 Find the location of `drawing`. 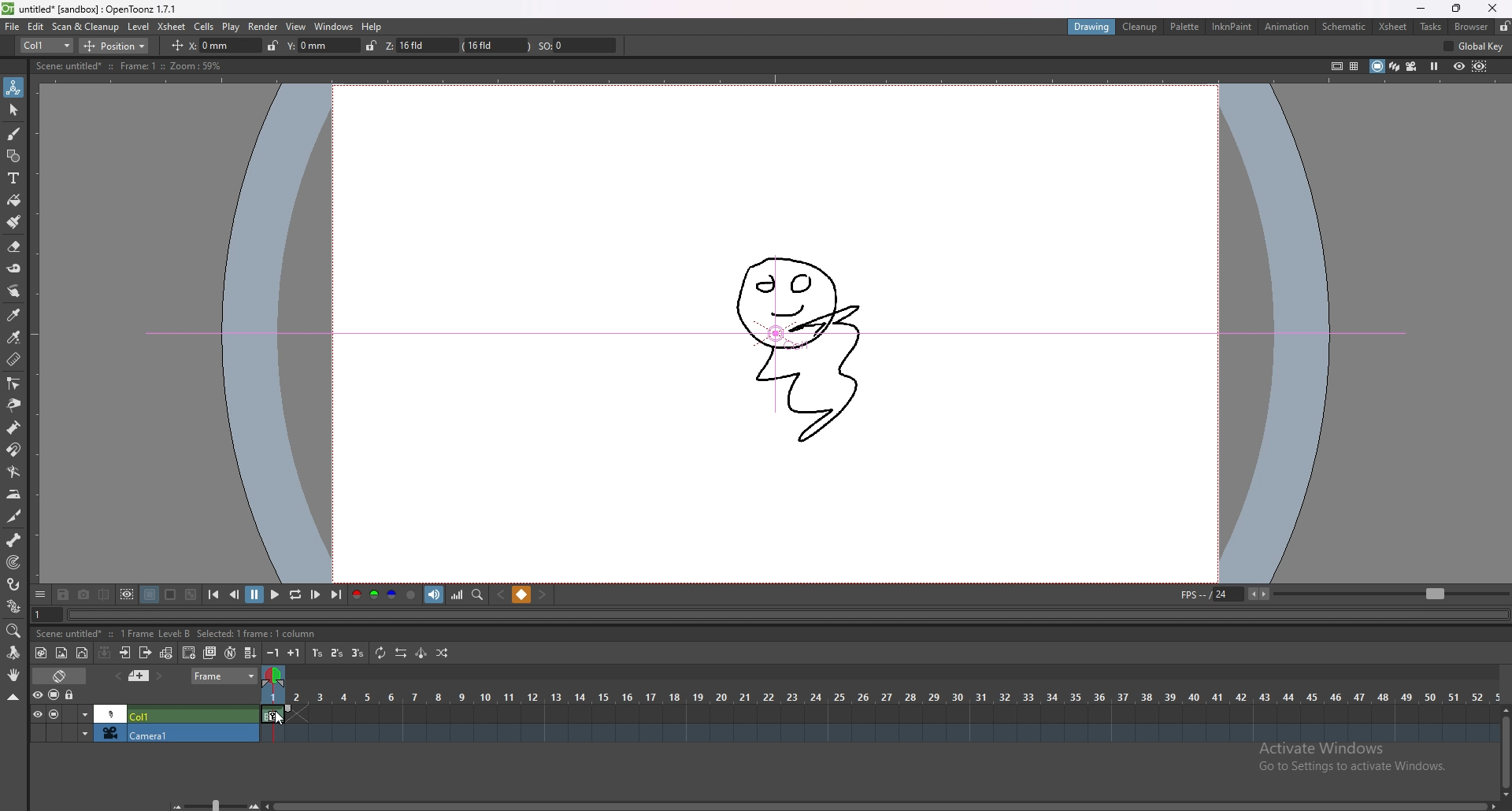

drawing is located at coordinates (801, 342).